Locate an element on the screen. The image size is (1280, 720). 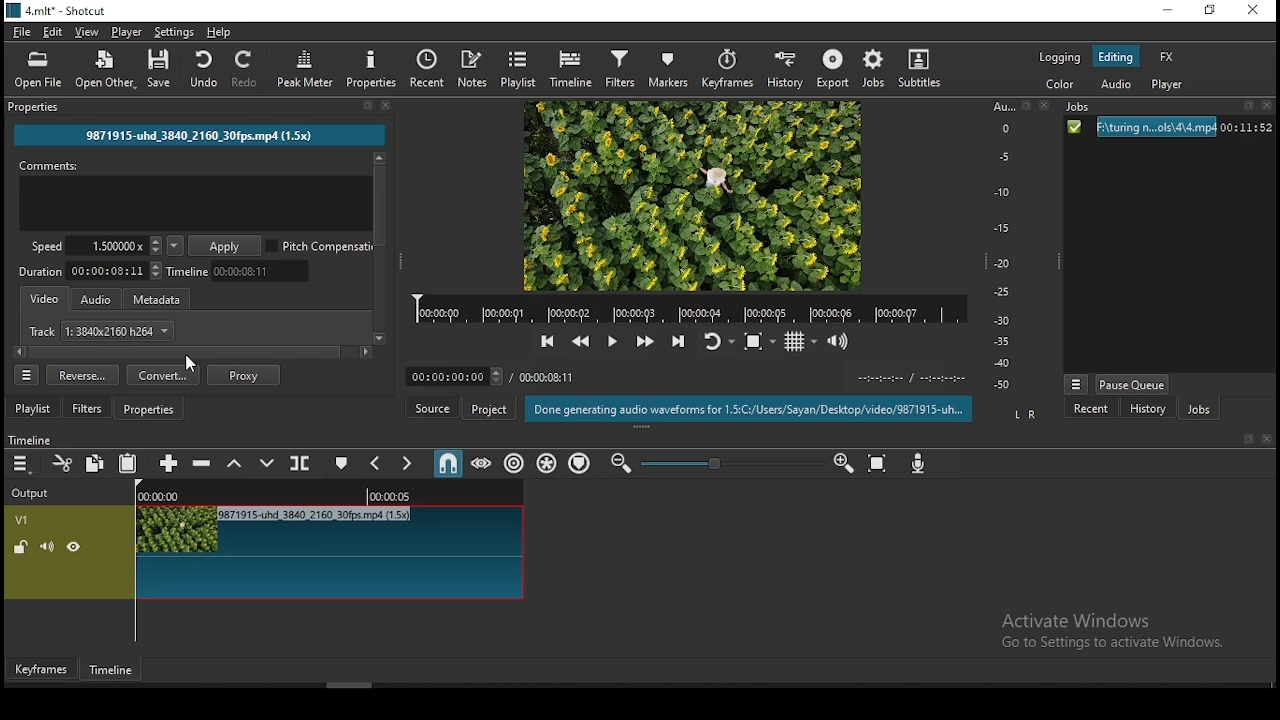
timeline settings is located at coordinates (23, 463).